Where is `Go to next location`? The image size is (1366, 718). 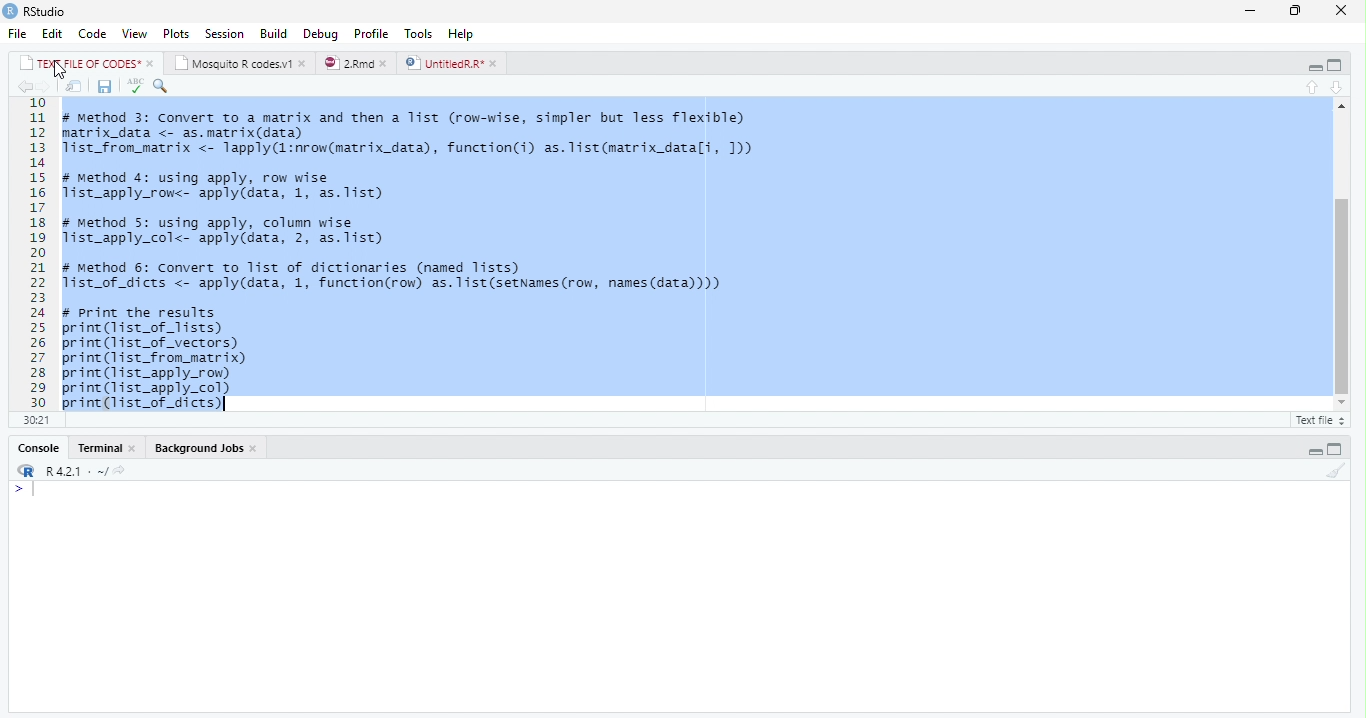 Go to next location is located at coordinates (44, 87).